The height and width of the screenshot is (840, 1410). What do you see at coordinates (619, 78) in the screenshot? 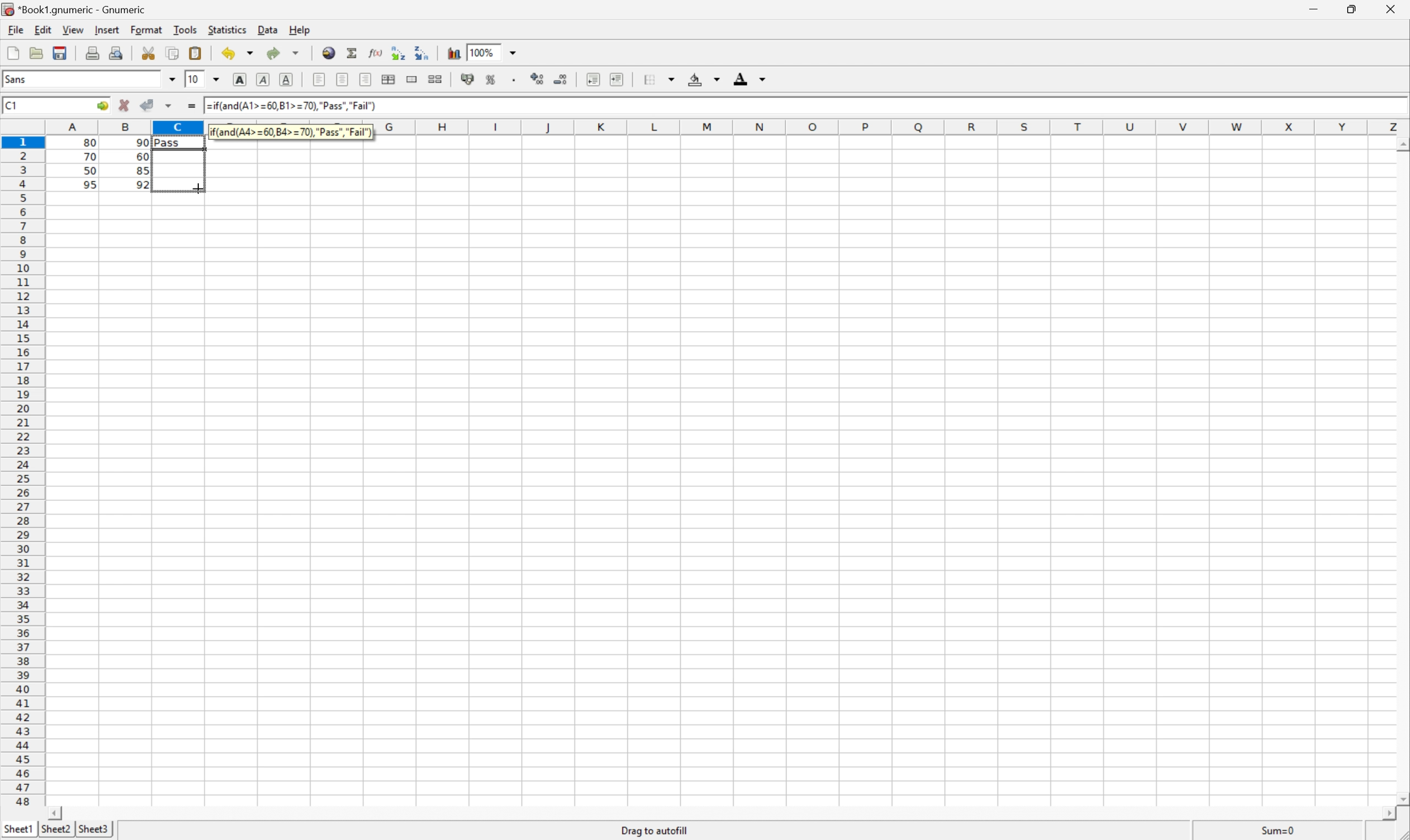
I see `Increase indent, and align the contents to the left` at bounding box center [619, 78].